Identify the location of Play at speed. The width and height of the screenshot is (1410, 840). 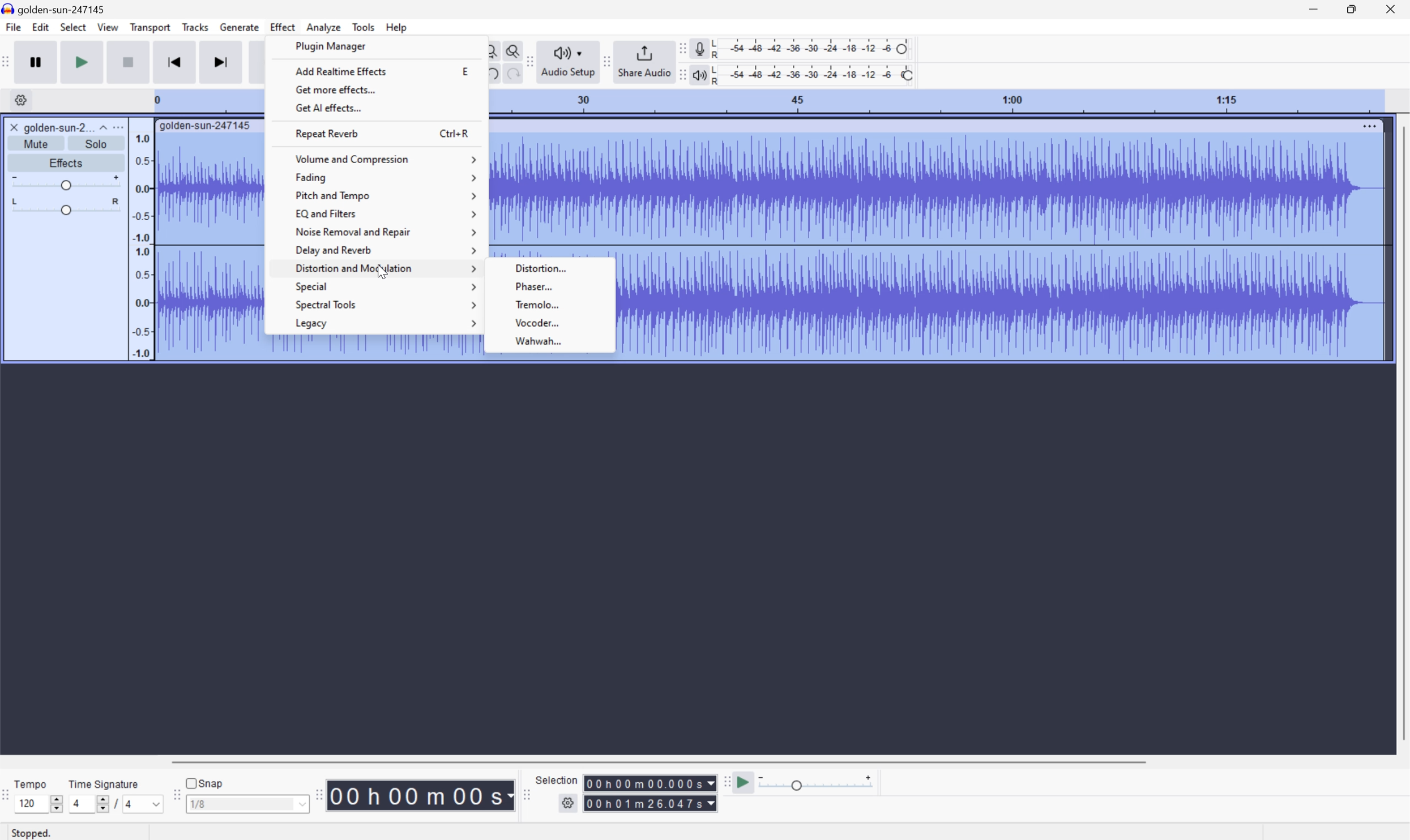
(746, 781).